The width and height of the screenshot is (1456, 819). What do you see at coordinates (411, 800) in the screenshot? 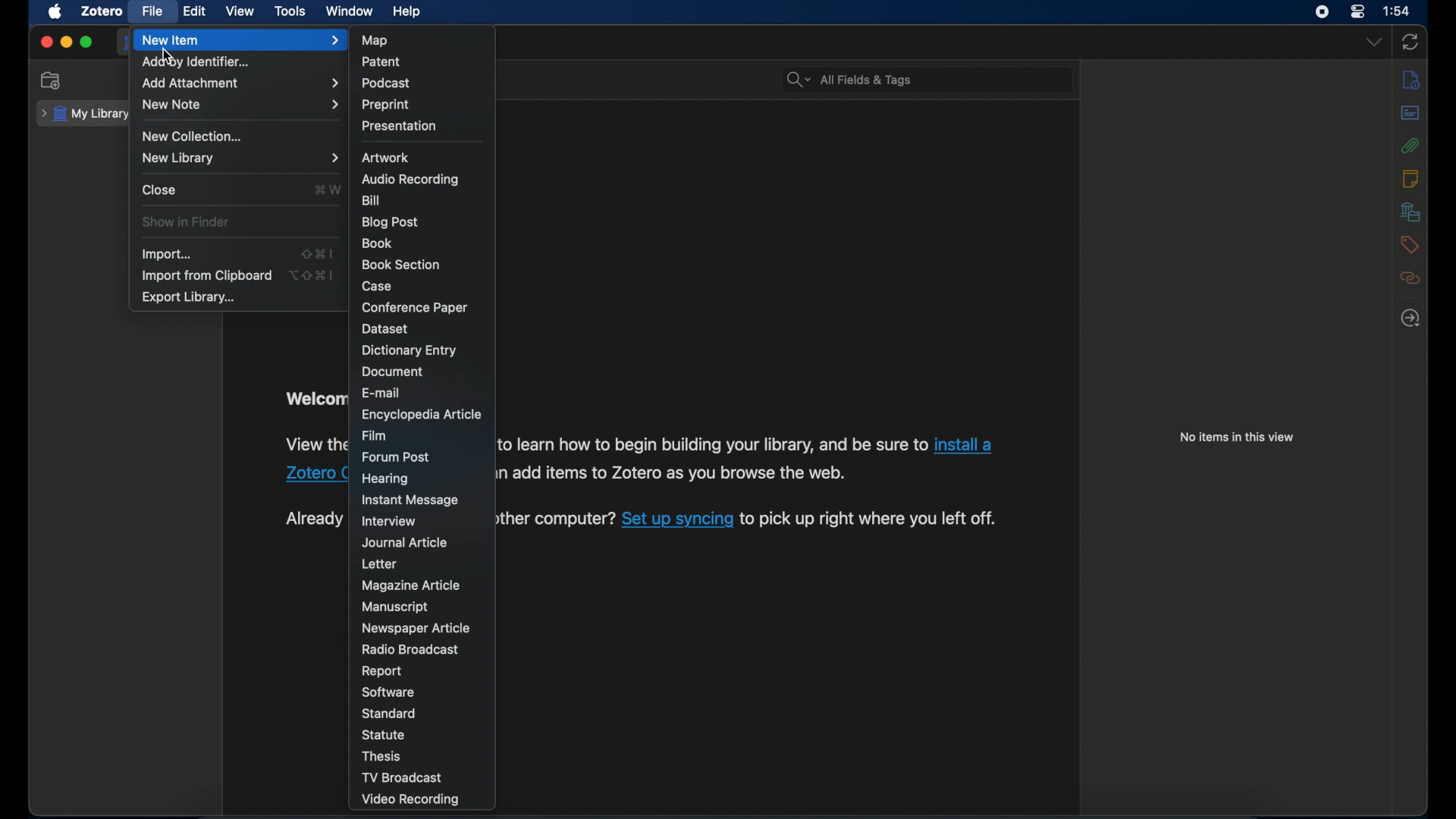
I see `video recording` at bounding box center [411, 800].